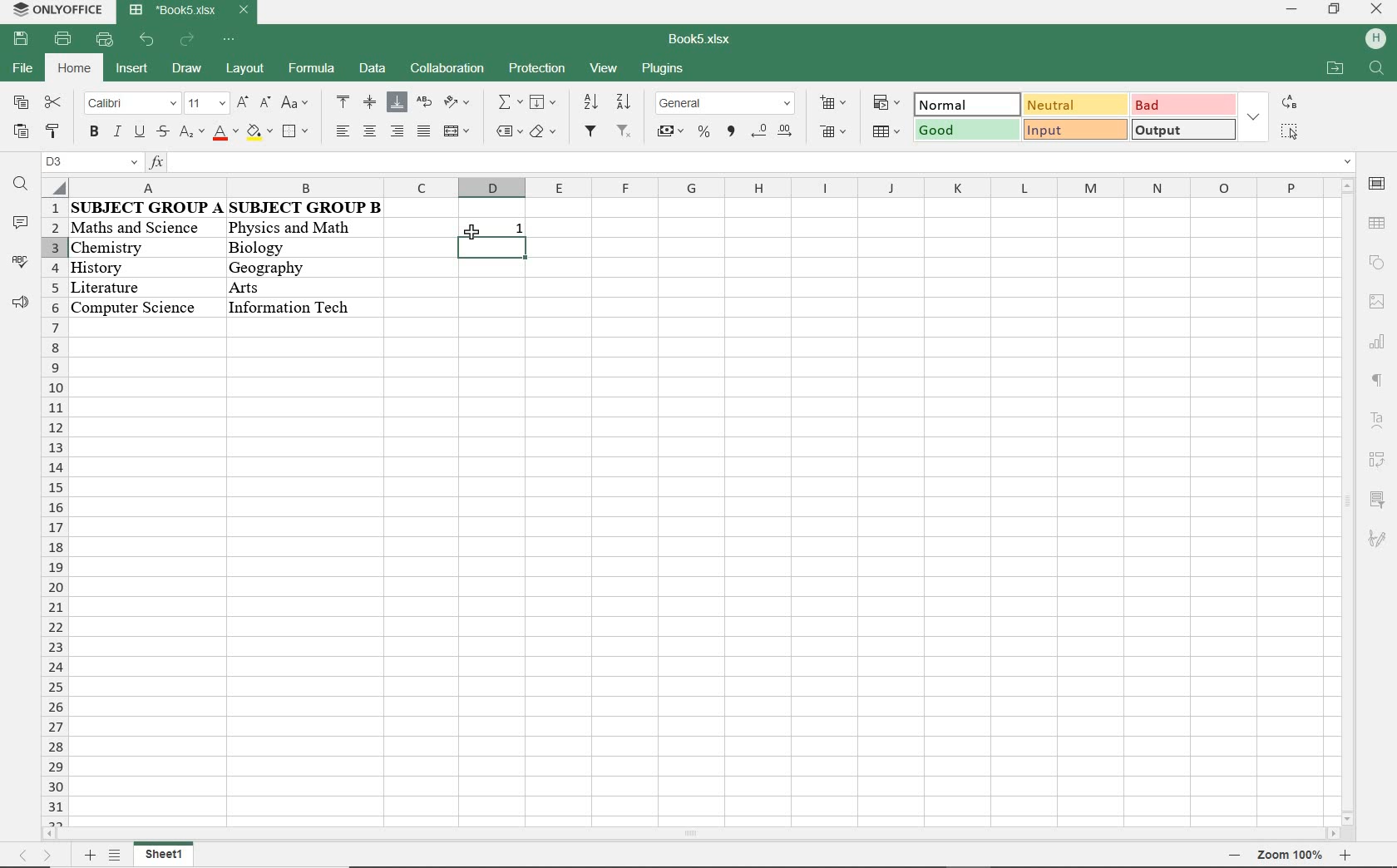 This screenshot has height=868, width=1397. Describe the element at coordinates (21, 101) in the screenshot. I see `copy` at that location.